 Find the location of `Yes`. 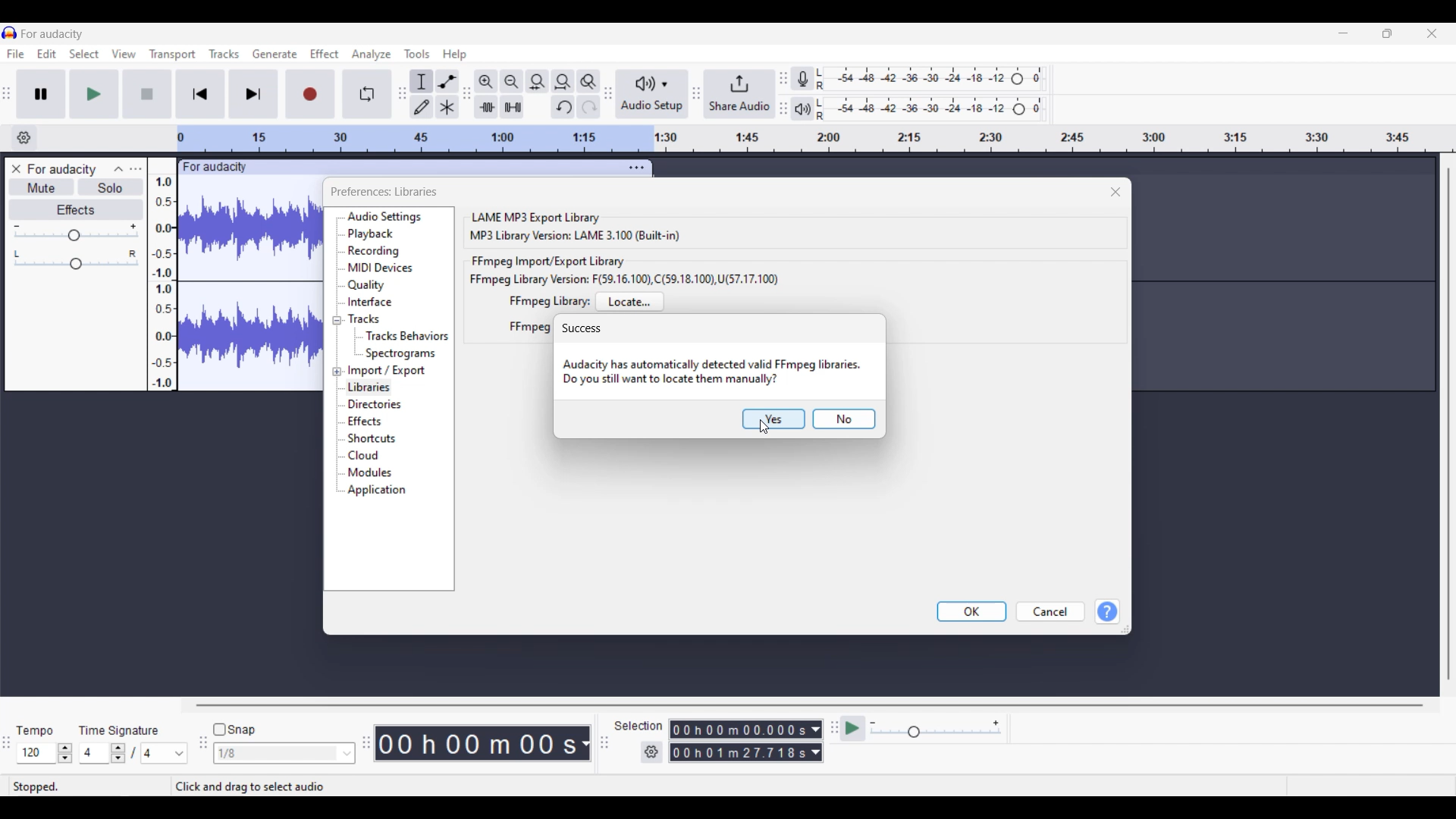

Yes is located at coordinates (773, 419).